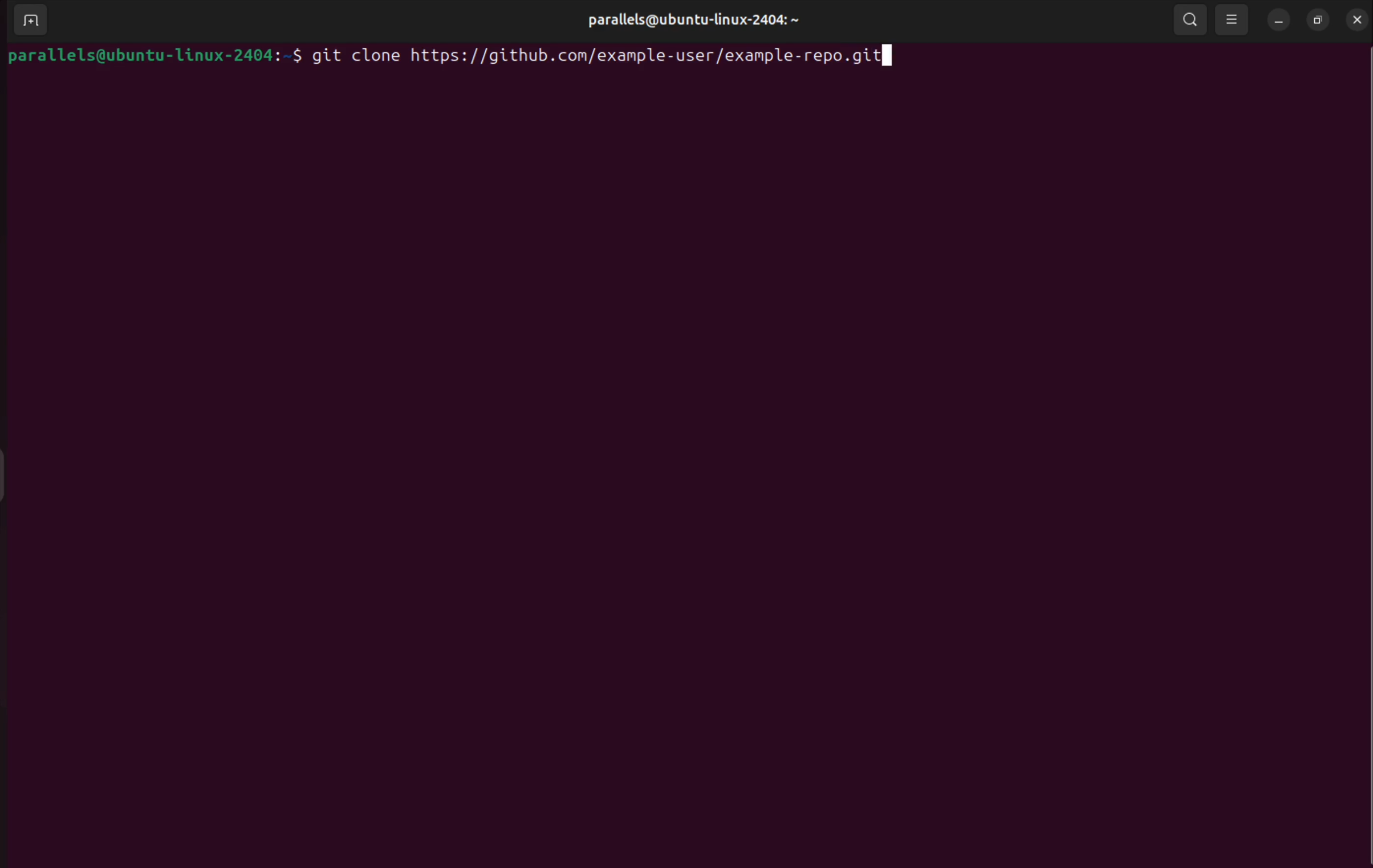 This screenshot has width=1373, height=868. Describe the element at coordinates (1358, 19) in the screenshot. I see `close` at that location.